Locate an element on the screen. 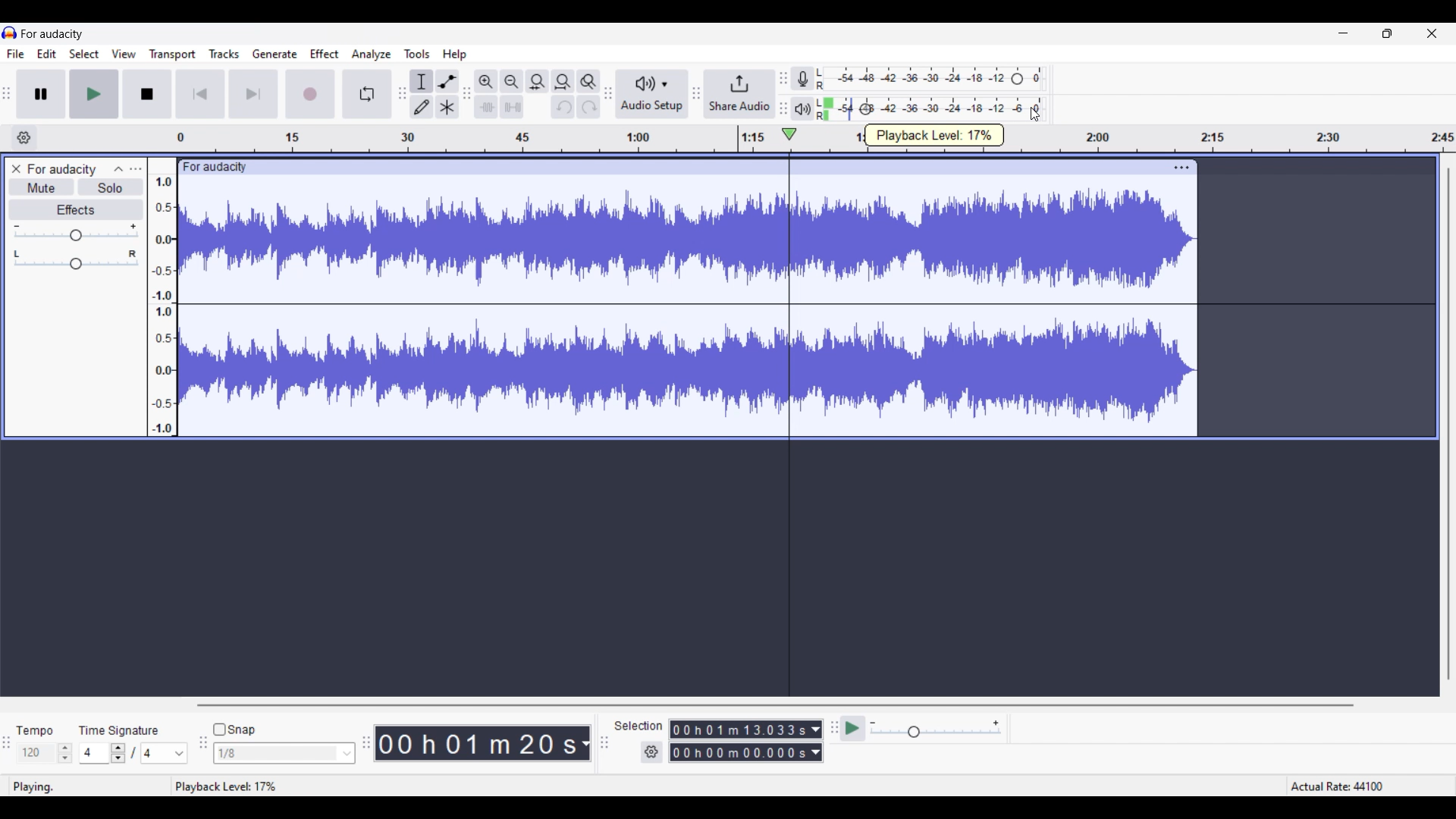  Playback speed settings is located at coordinates (937, 729).